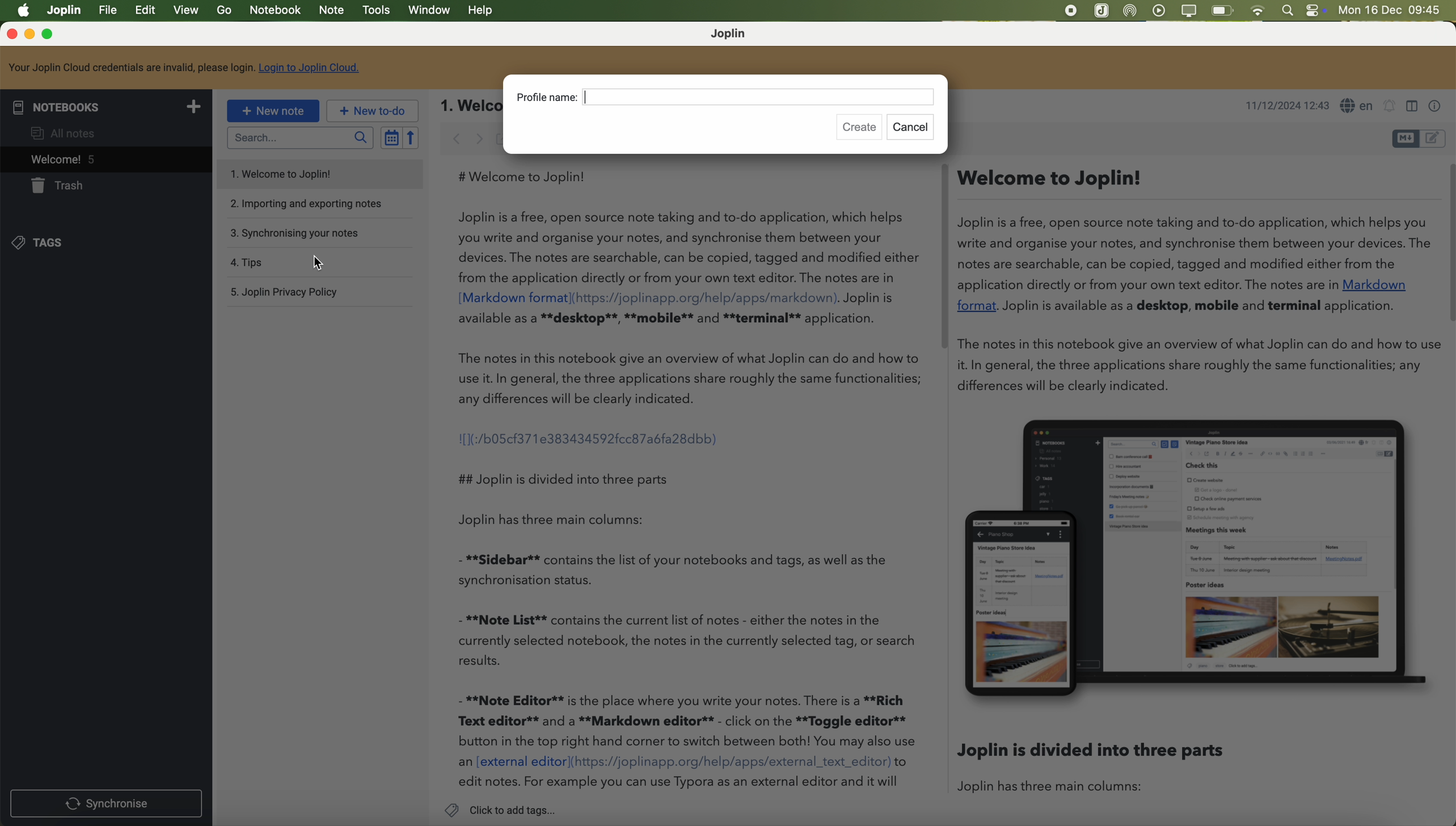 The width and height of the screenshot is (1456, 826). Describe the element at coordinates (861, 129) in the screenshot. I see `create` at that location.